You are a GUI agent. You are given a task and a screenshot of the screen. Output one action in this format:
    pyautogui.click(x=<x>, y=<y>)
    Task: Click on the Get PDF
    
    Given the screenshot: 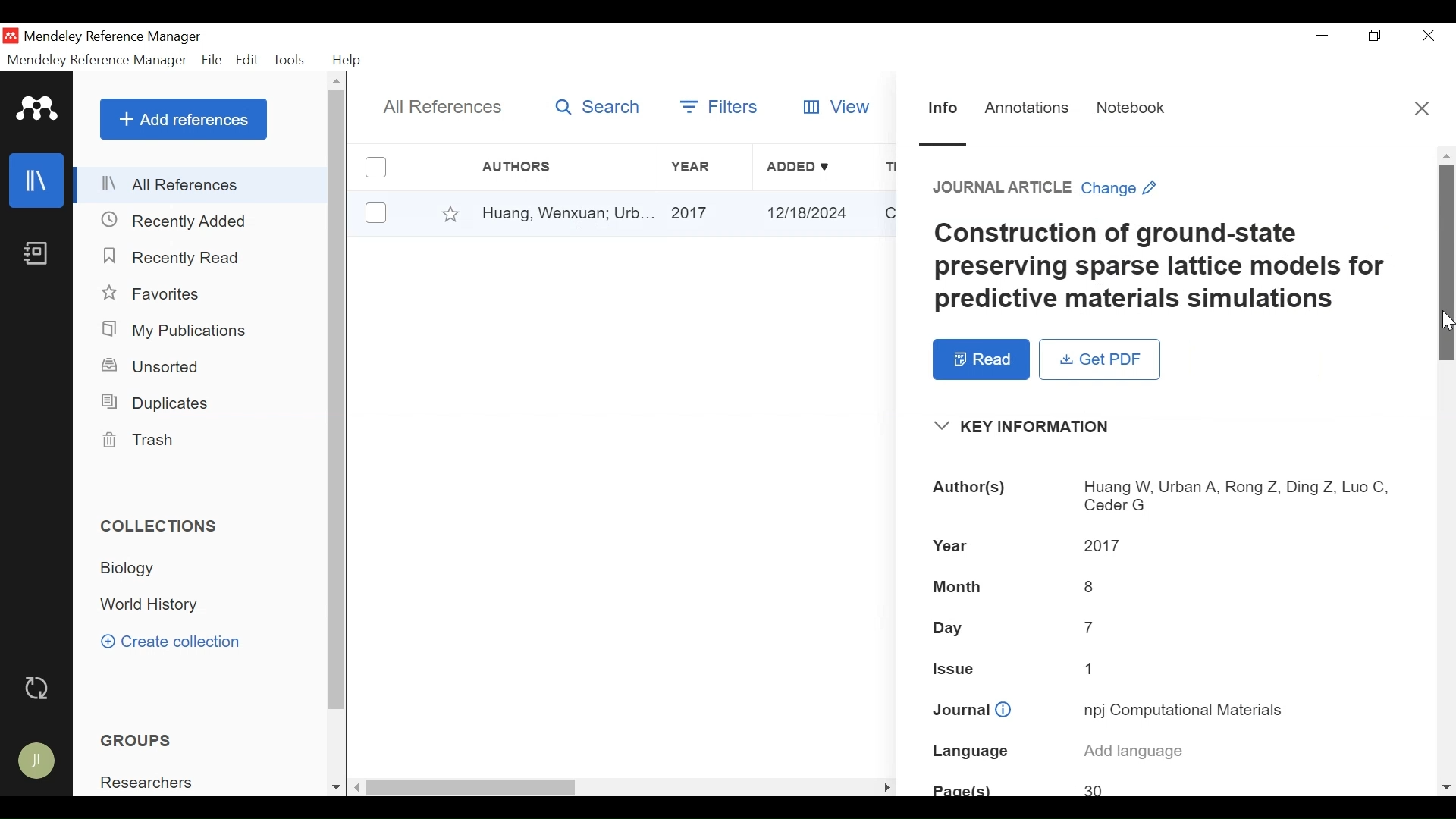 What is the action you would take?
    pyautogui.click(x=1098, y=359)
    